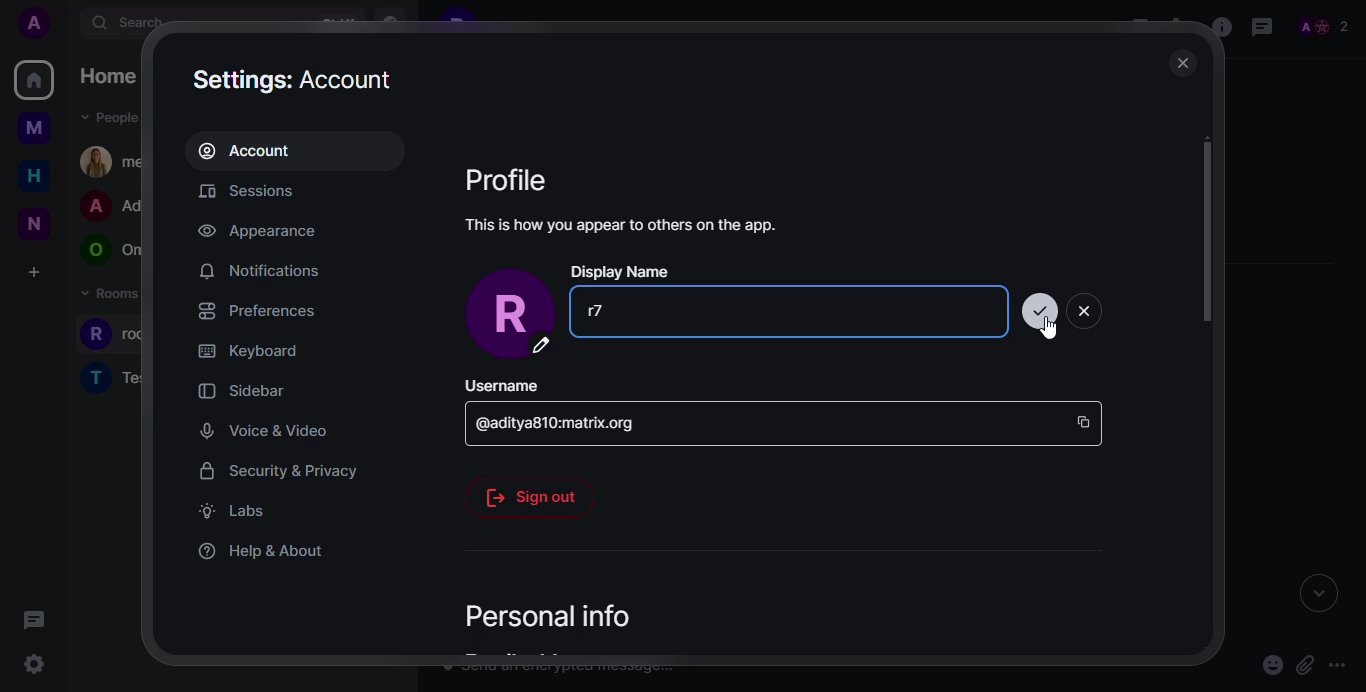 This screenshot has width=1366, height=692. What do you see at coordinates (1084, 310) in the screenshot?
I see `close` at bounding box center [1084, 310].